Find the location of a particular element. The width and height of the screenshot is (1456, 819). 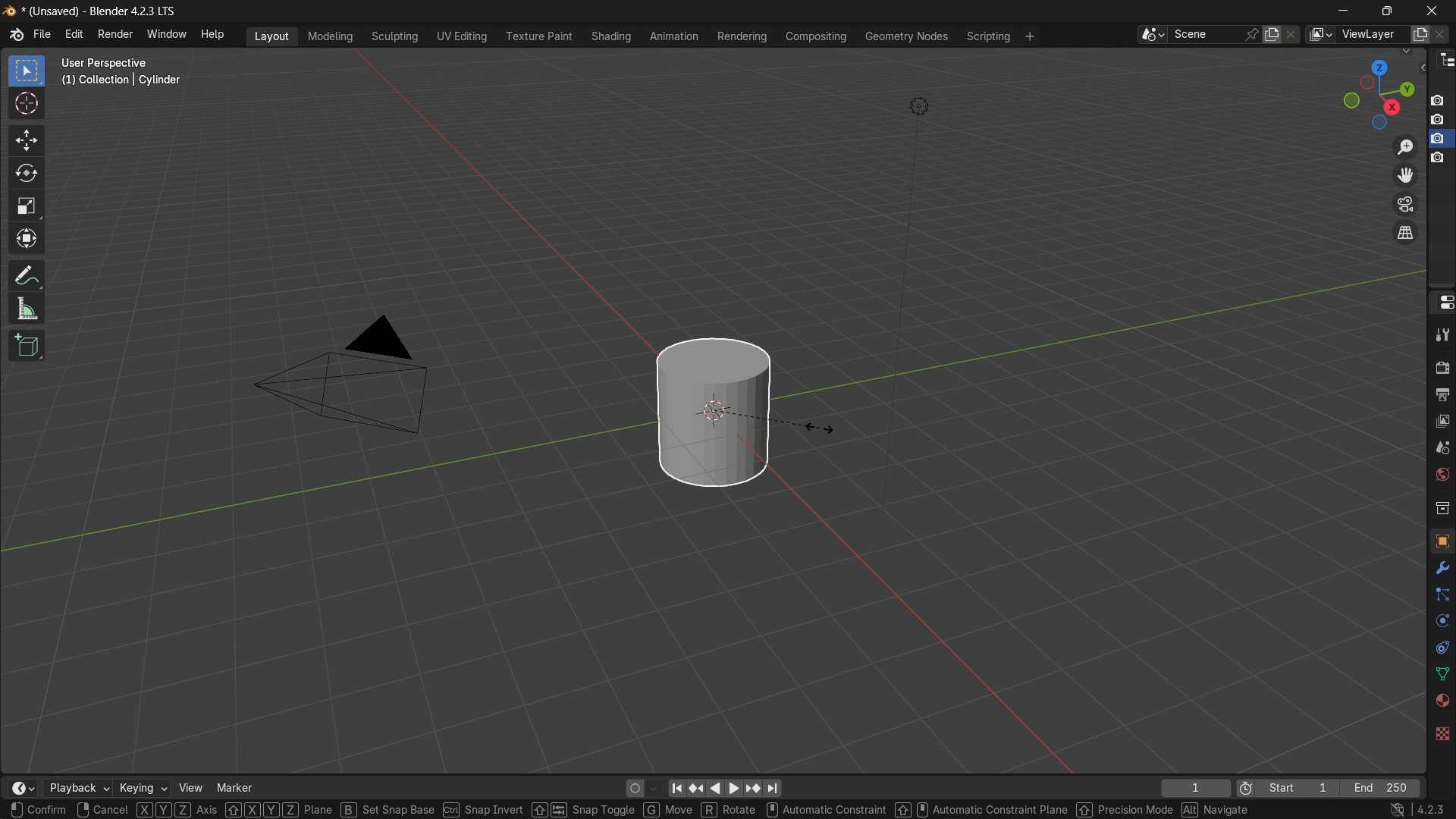

timeline is located at coordinates (20, 788).